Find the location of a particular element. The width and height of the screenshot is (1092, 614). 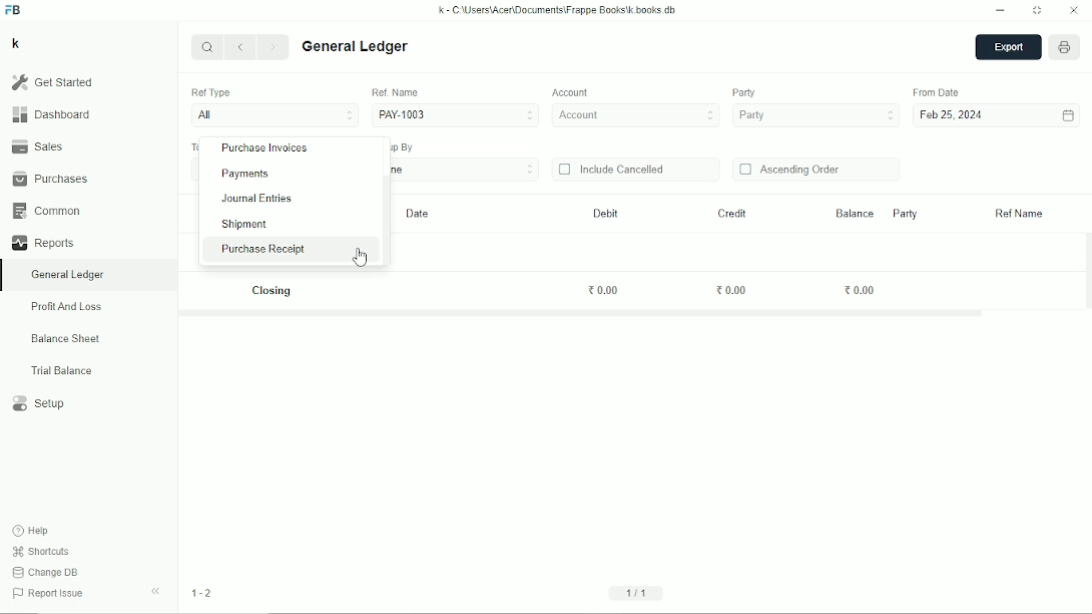

Dashboard is located at coordinates (51, 114).